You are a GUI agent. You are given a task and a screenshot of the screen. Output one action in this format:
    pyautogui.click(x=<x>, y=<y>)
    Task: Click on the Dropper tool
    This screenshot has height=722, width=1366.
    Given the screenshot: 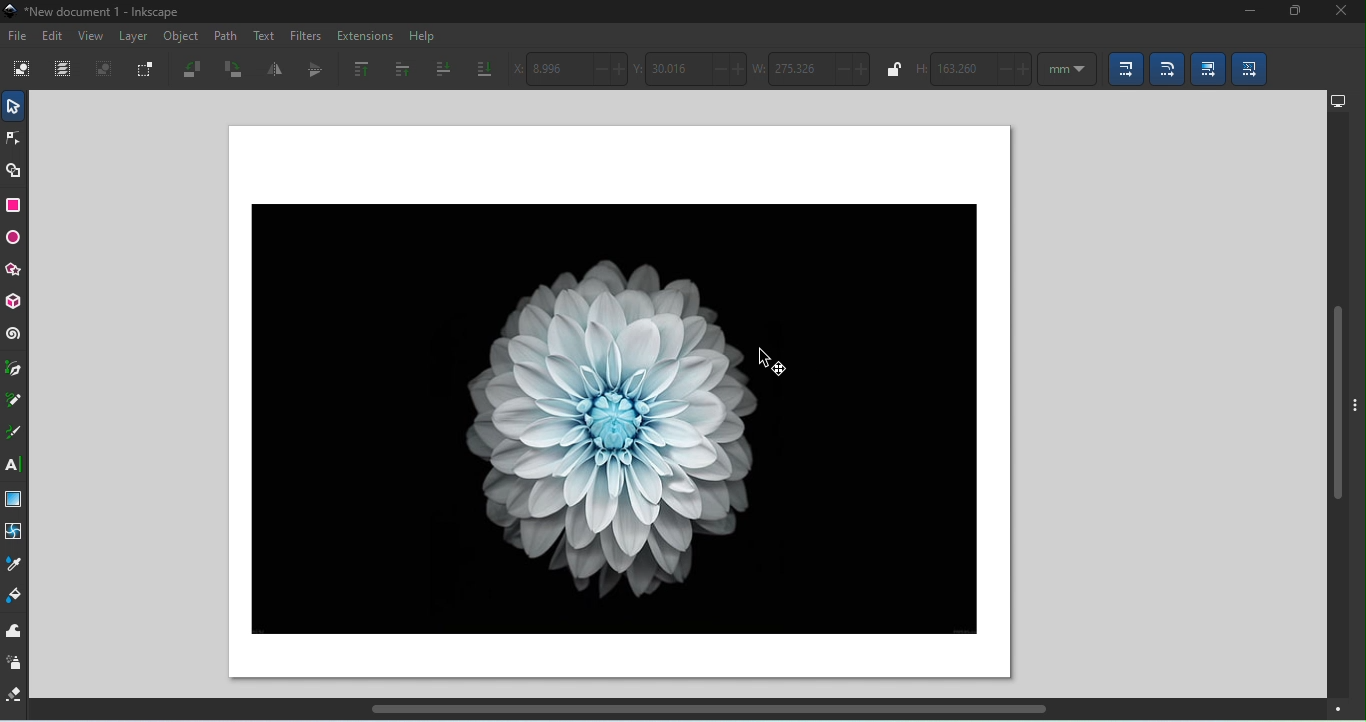 What is the action you would take?
    pyautogui.click(x=15, y=564)
    